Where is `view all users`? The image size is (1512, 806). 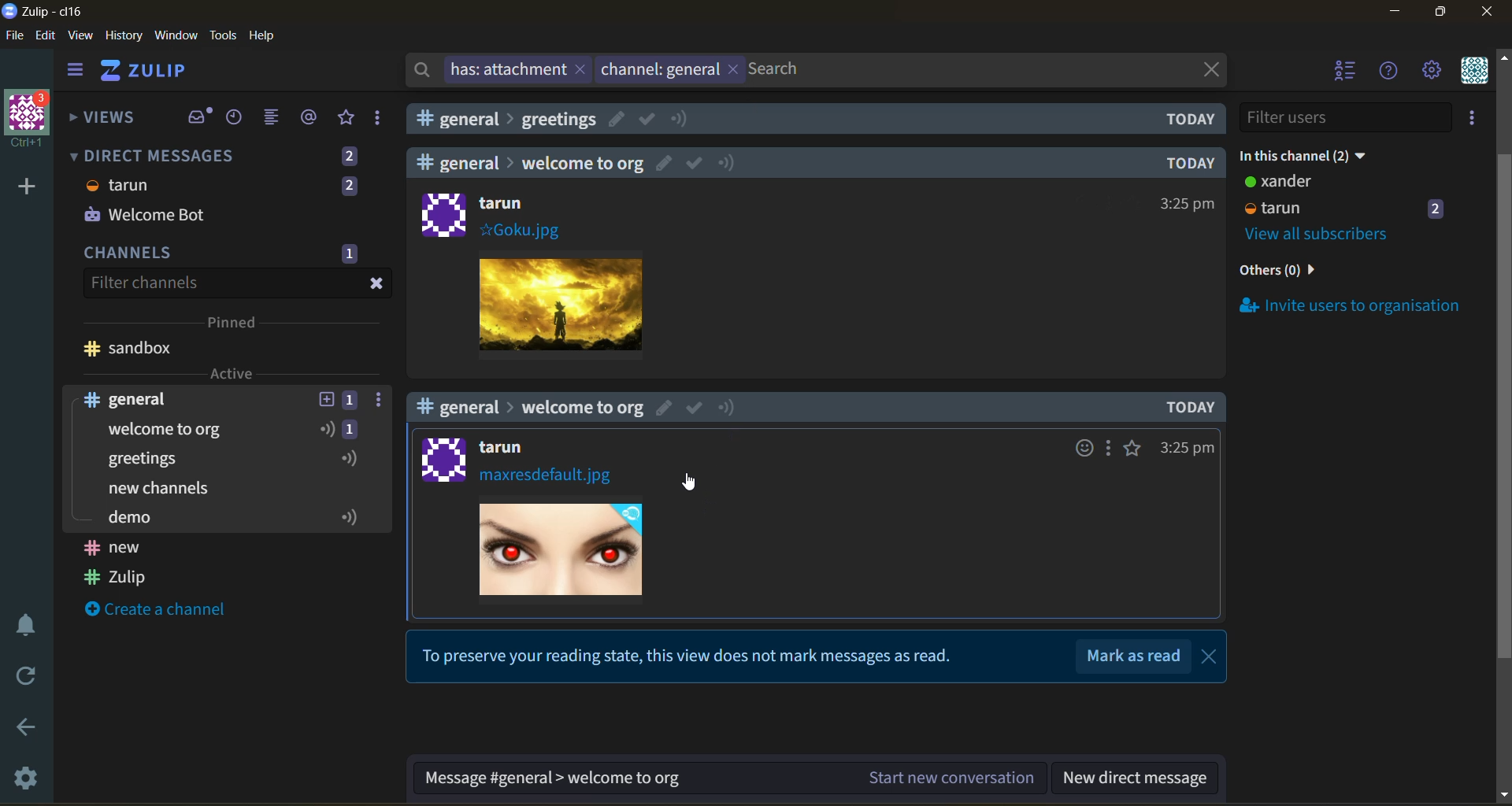
view all users is located at coordinates (1298, 211).